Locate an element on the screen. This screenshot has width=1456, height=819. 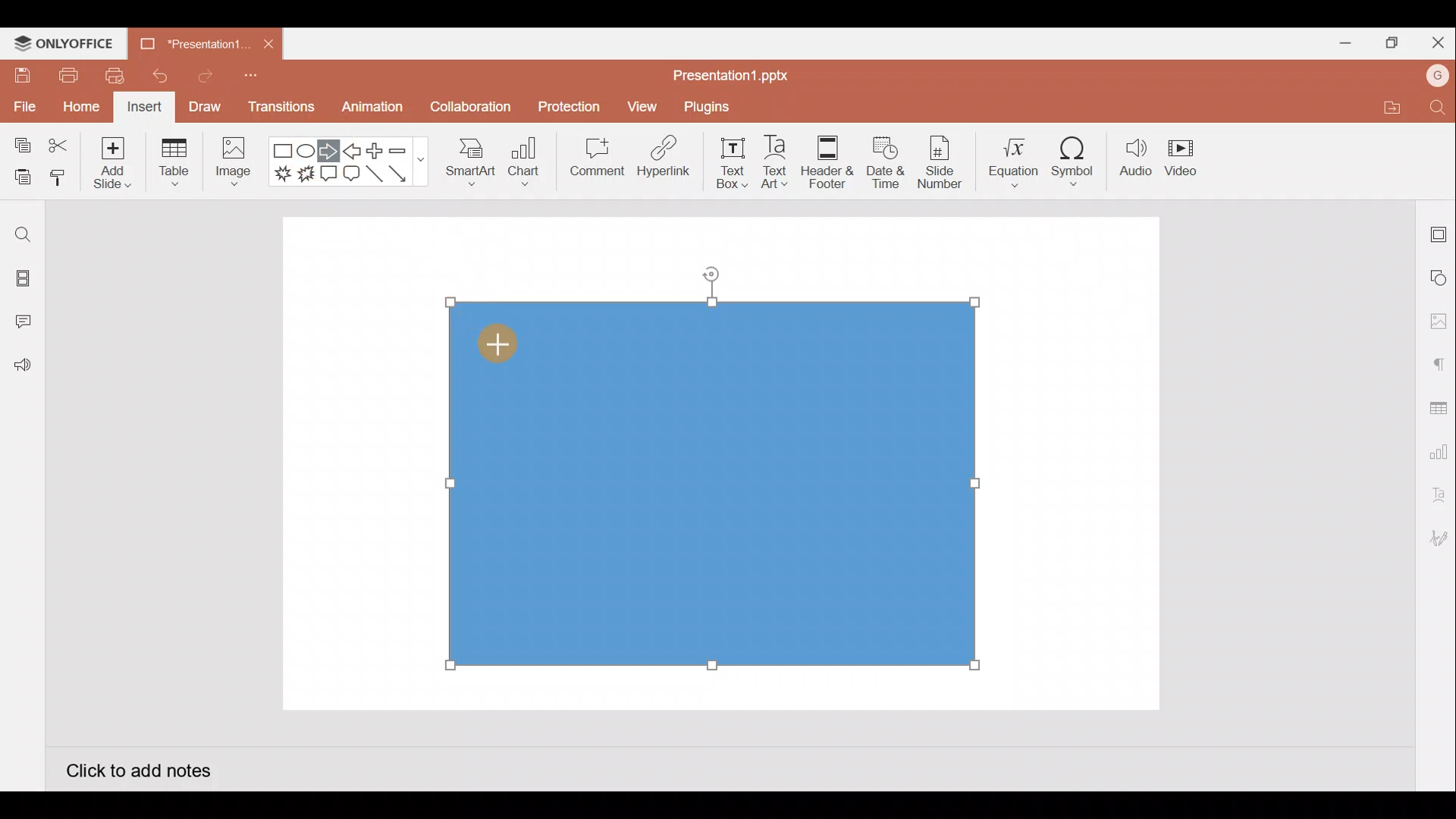
Line is located at coordinates (375, 174).